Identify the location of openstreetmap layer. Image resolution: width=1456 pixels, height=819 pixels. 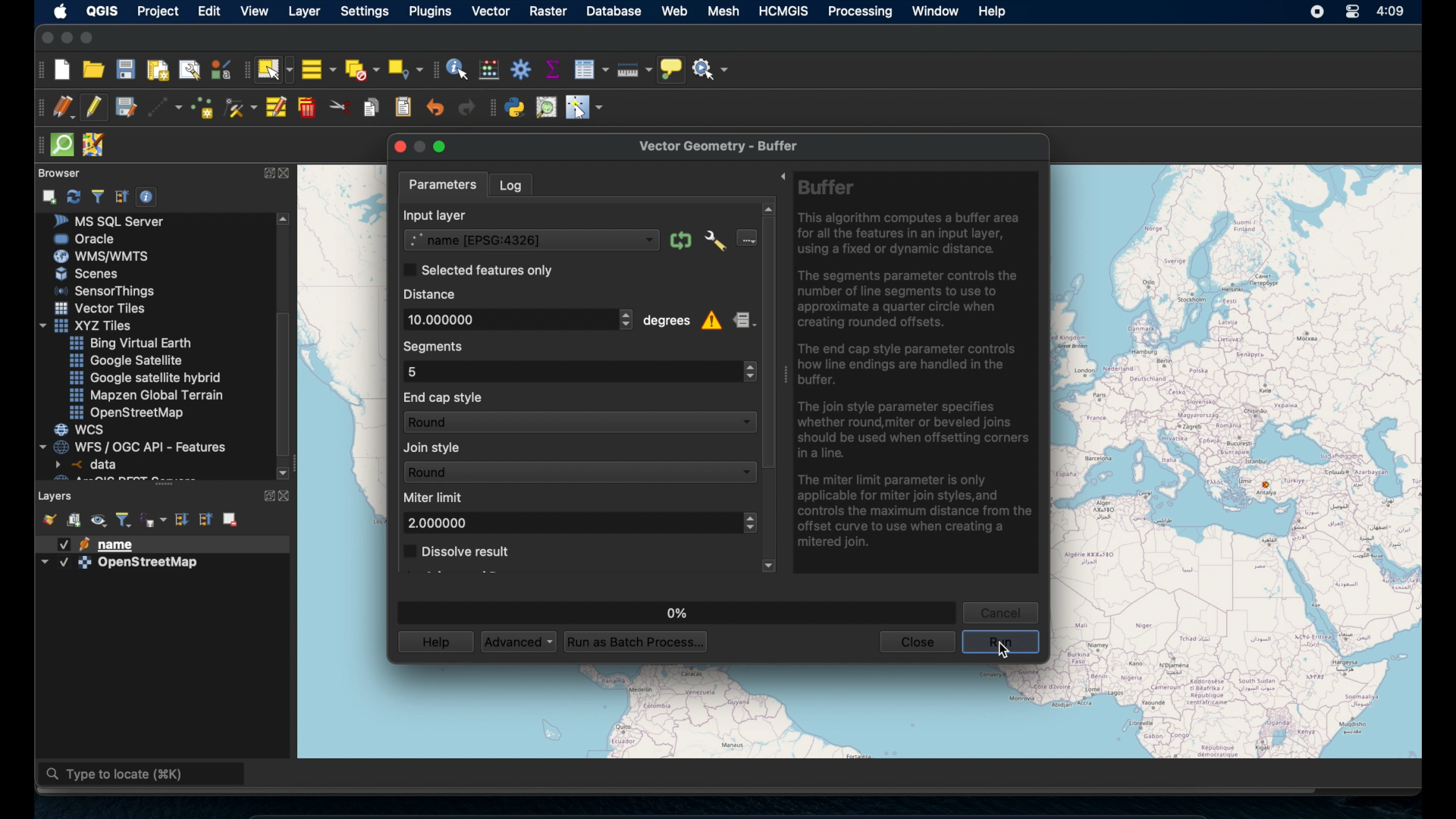
(121, 566).